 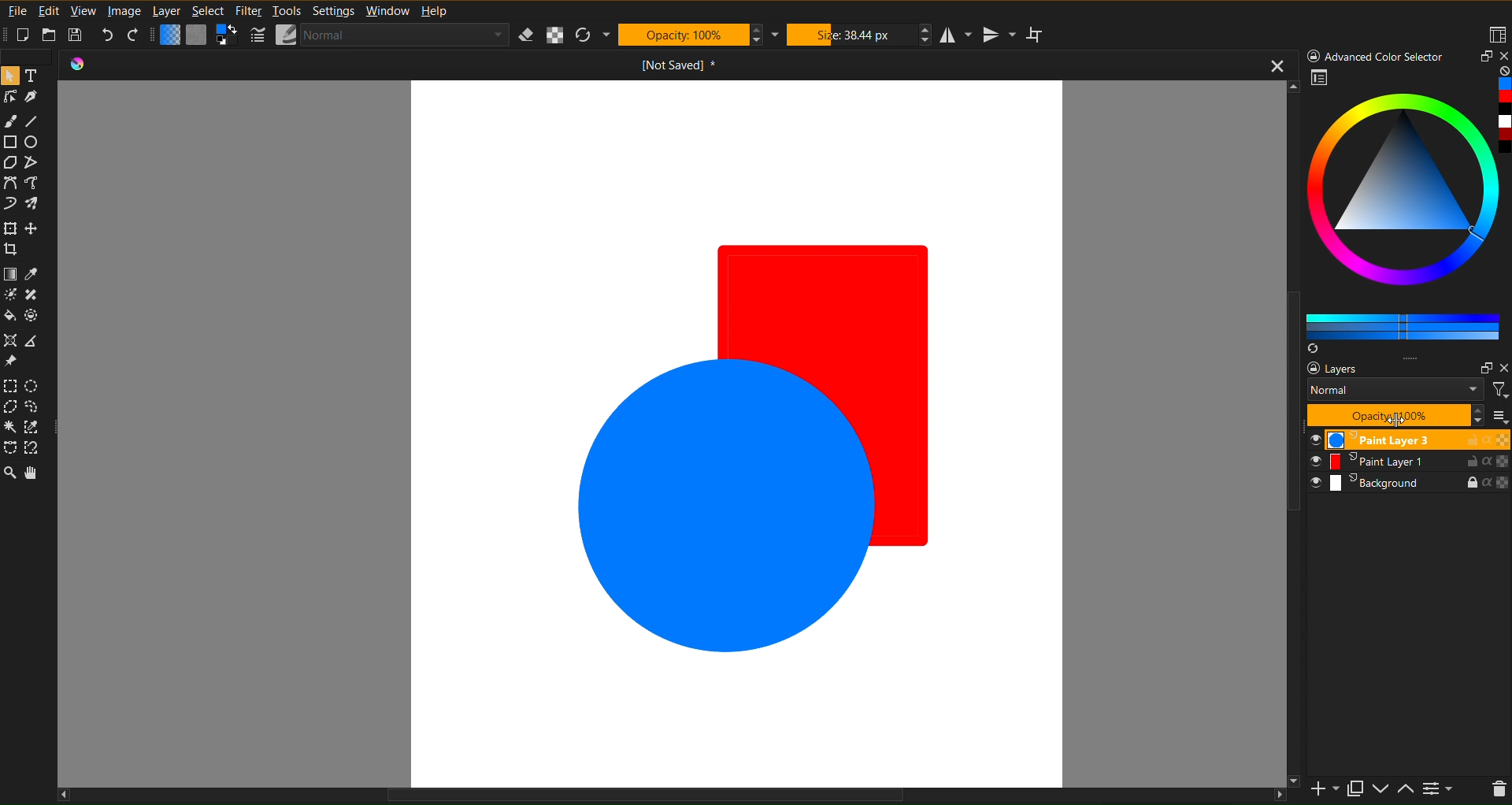 I want to click on add, so click(x=1325, y=790).